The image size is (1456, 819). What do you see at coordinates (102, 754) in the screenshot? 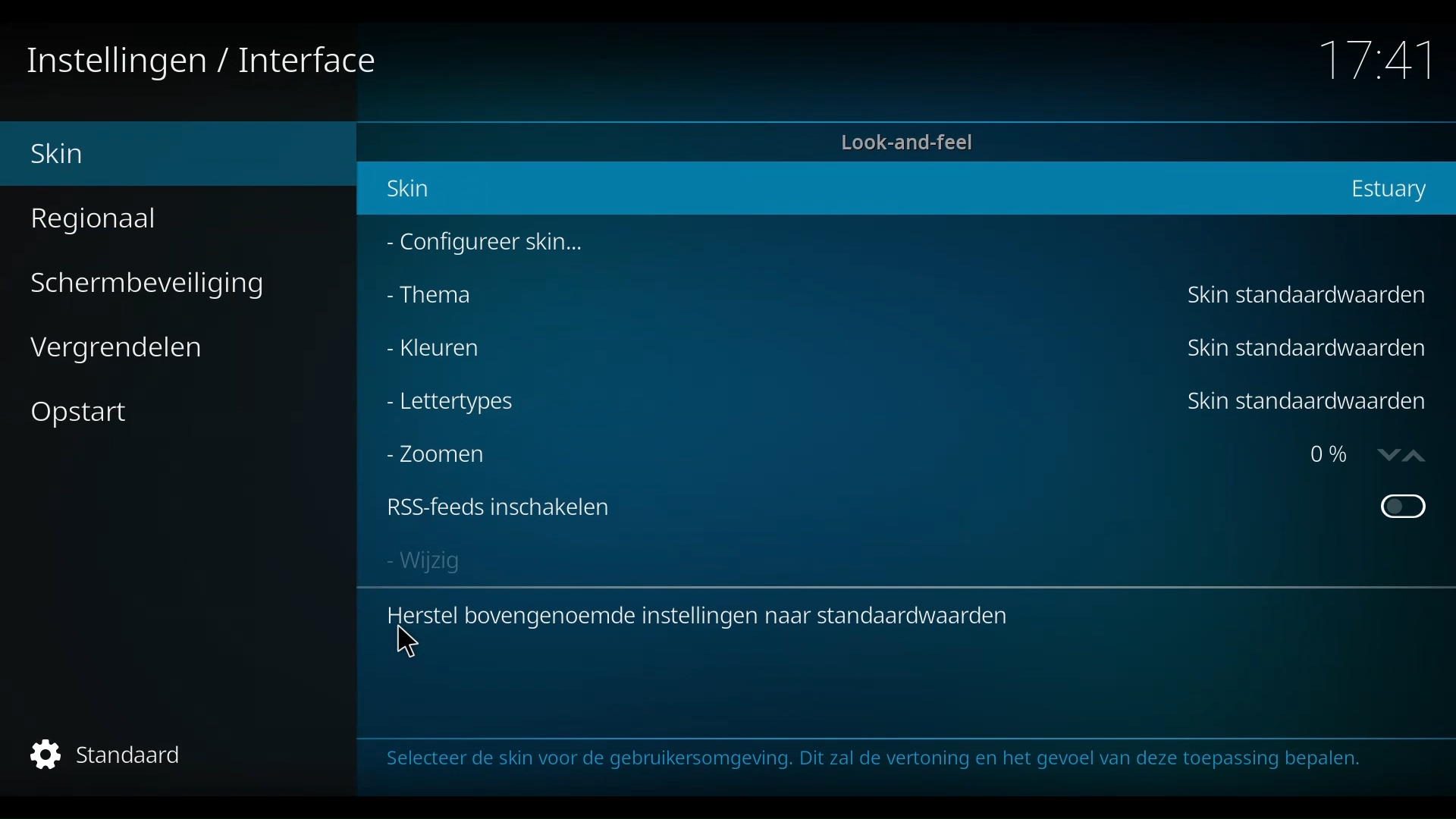
I see `Standaard` at bounding box center [102, 754].